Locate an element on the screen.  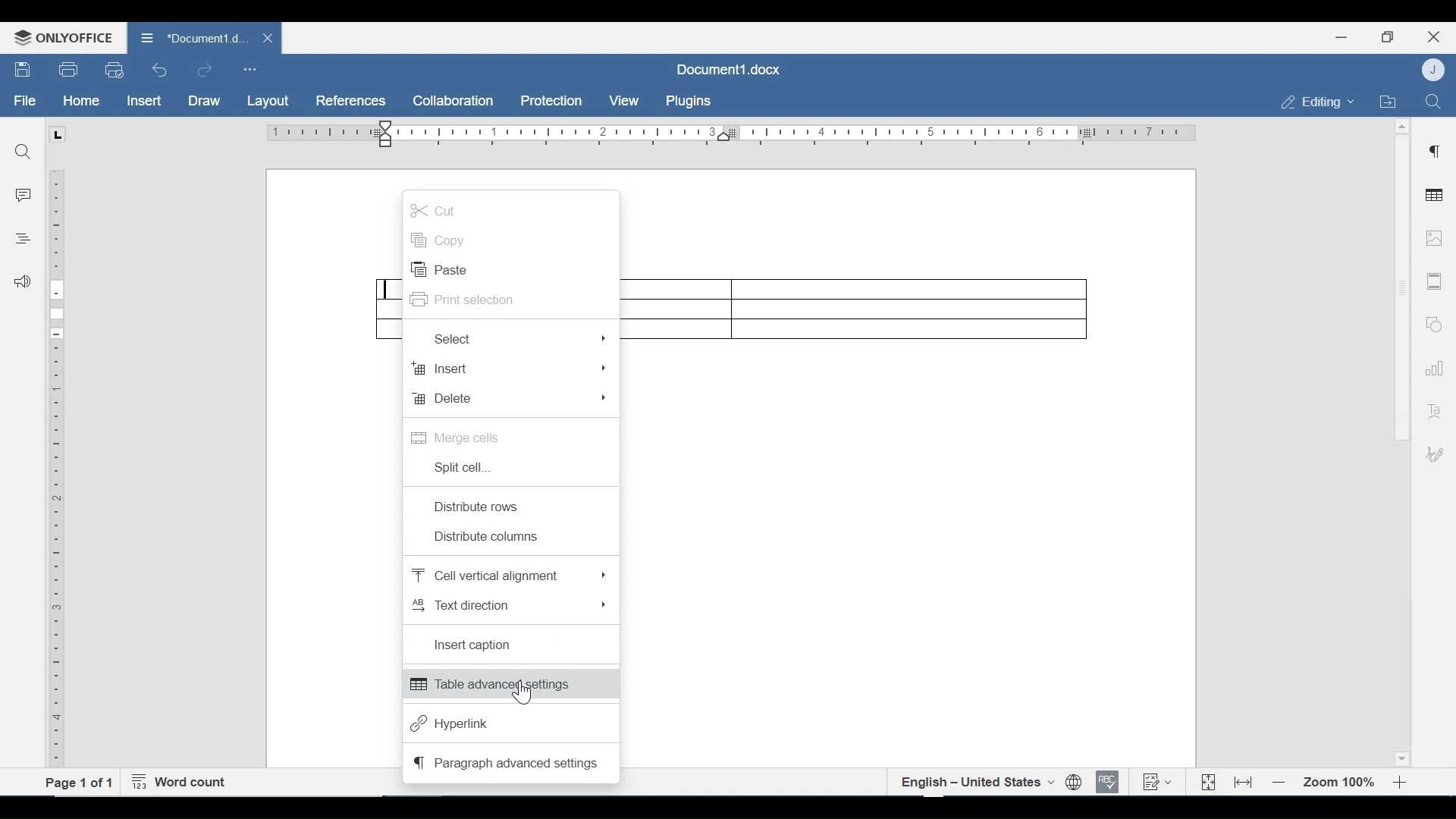
Graph is located at coordinates (1431, 366).